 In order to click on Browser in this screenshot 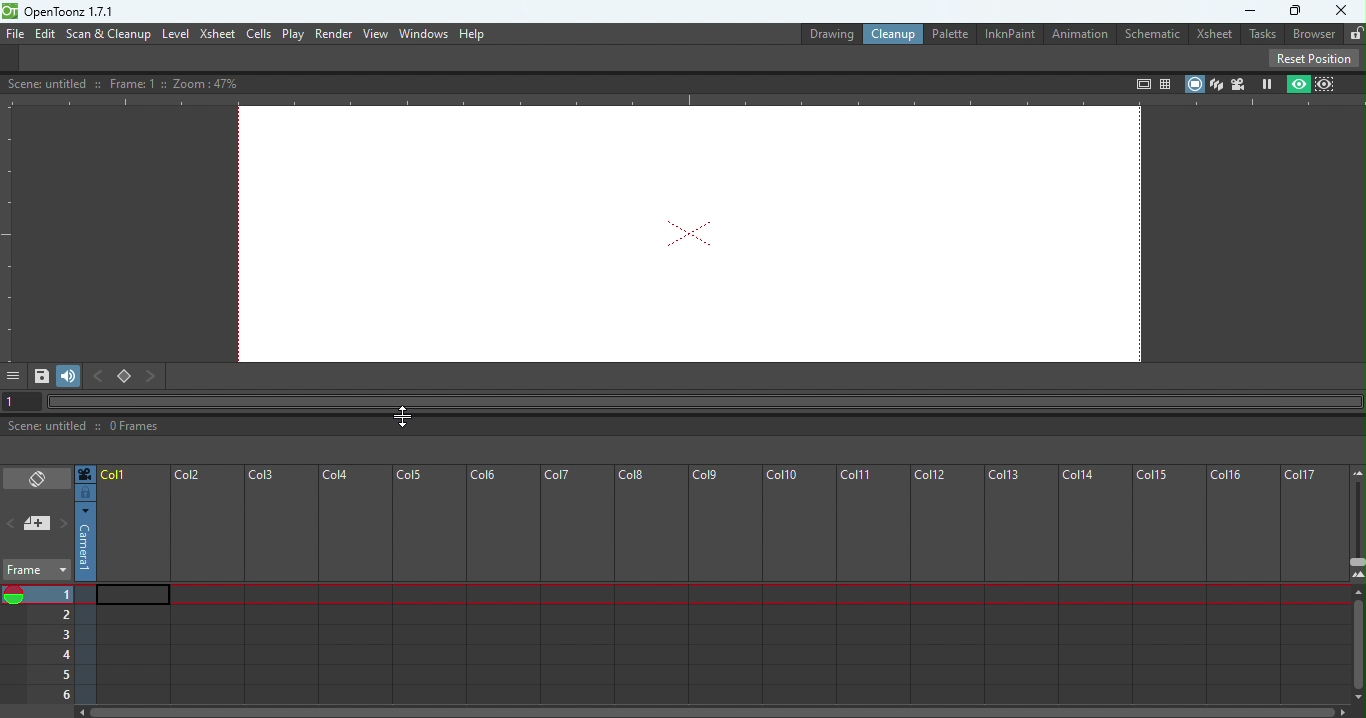, I will do `click(1310, 34)`.